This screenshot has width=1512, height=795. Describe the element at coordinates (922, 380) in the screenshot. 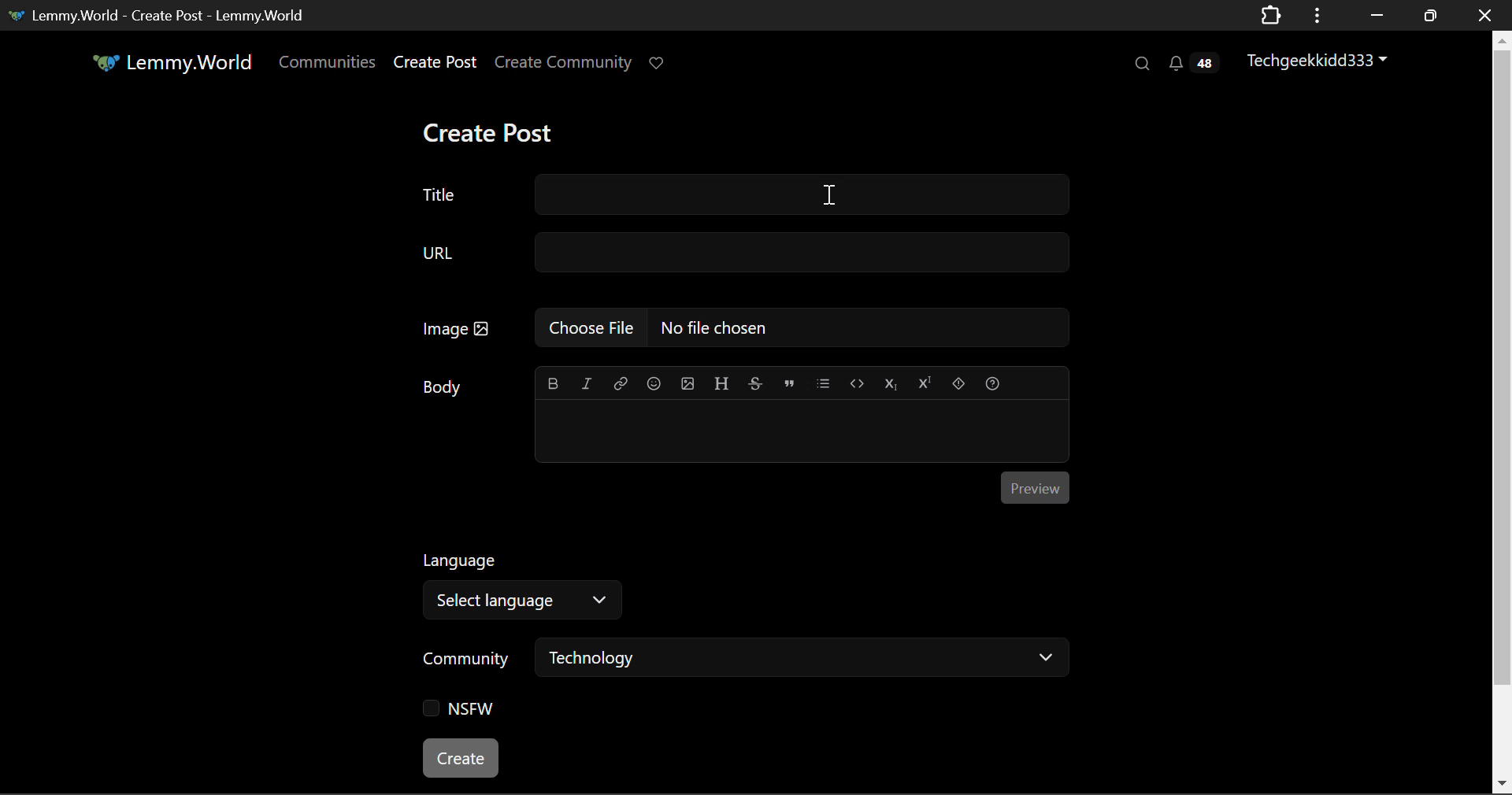

I see `superscript` at that location.